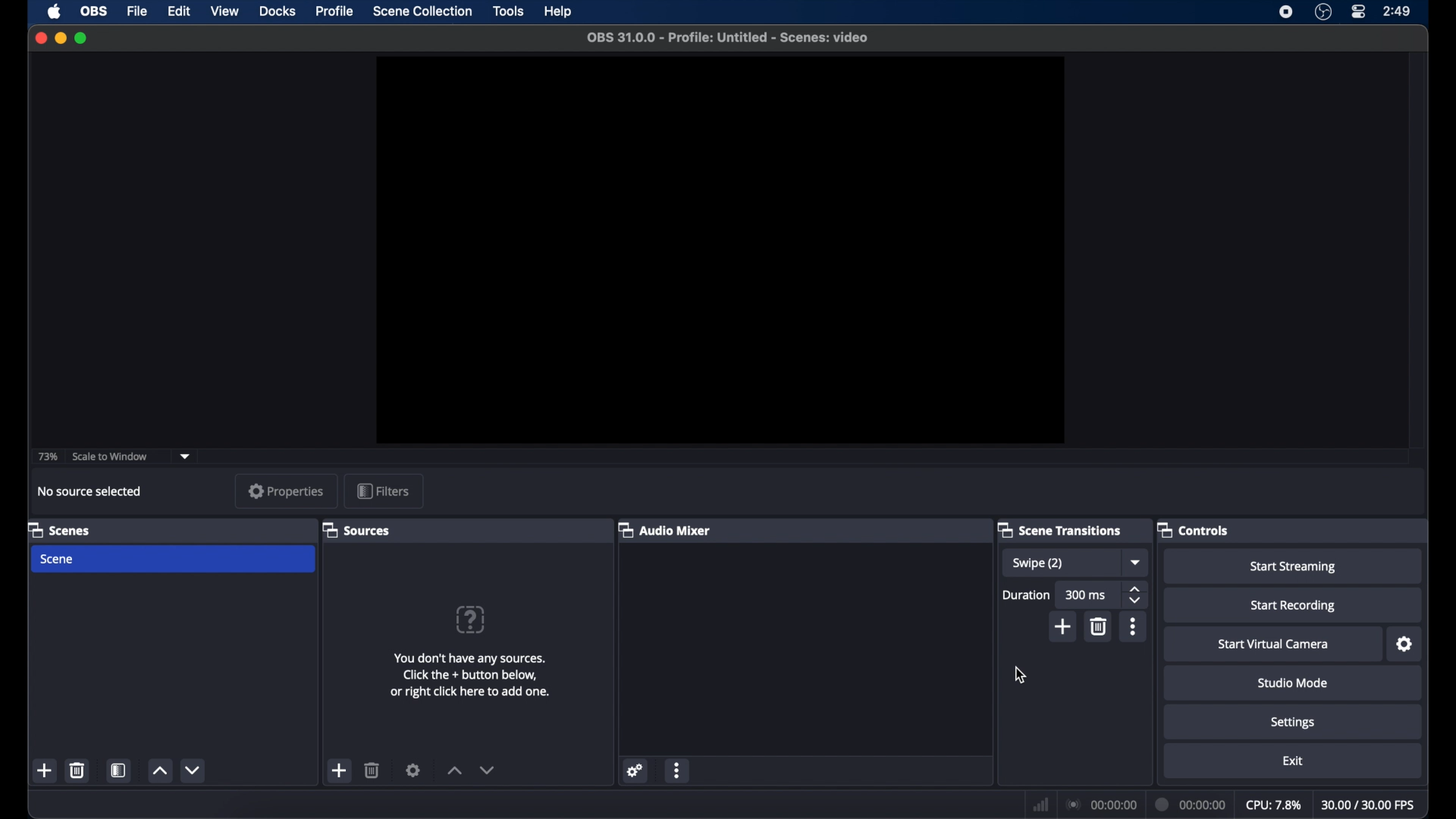  Describe the element at coordinates (678, 770) in the screenshot. I see `more options` at that location.